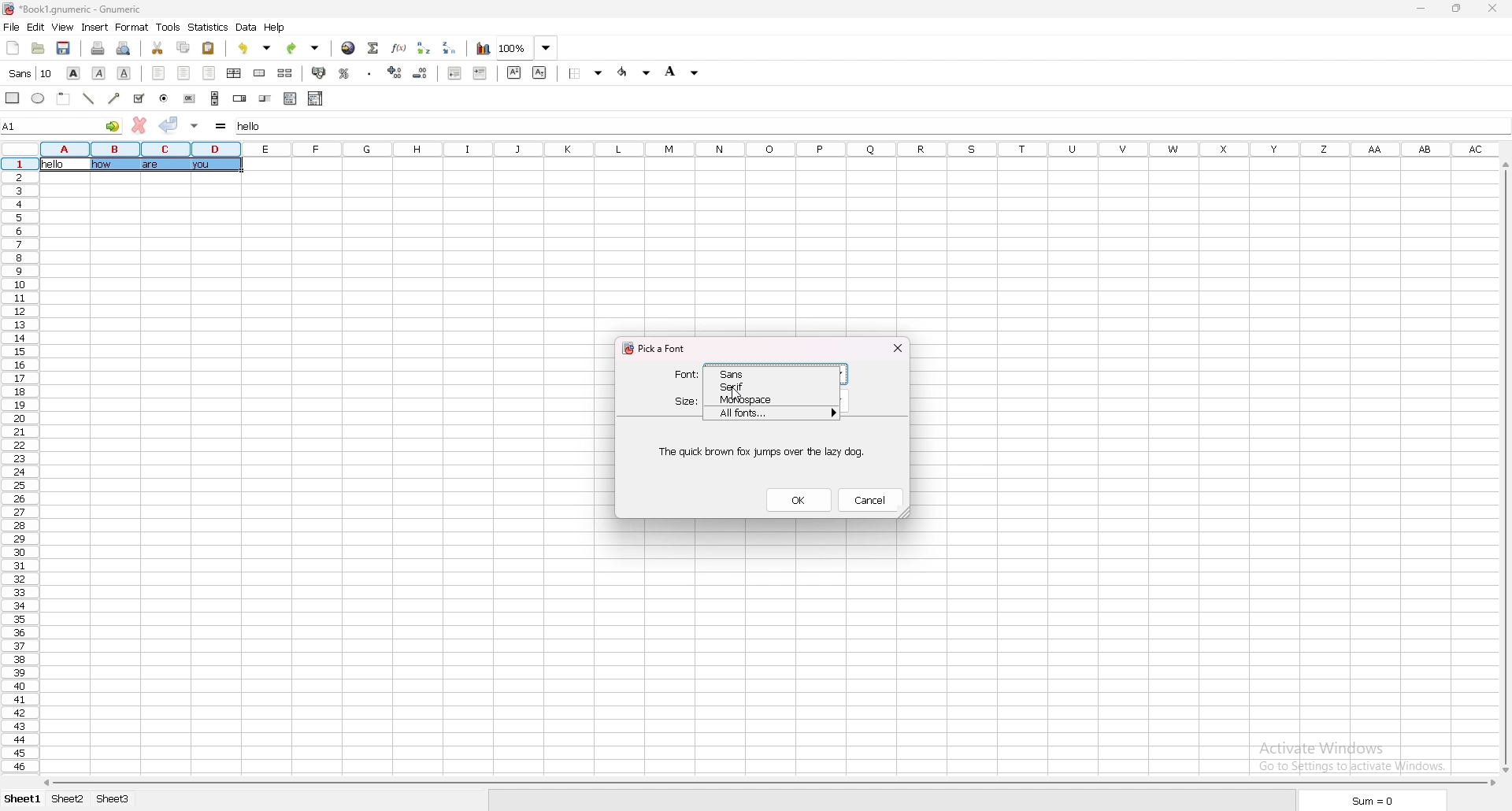  I want to click on bold, so click(73, 72).